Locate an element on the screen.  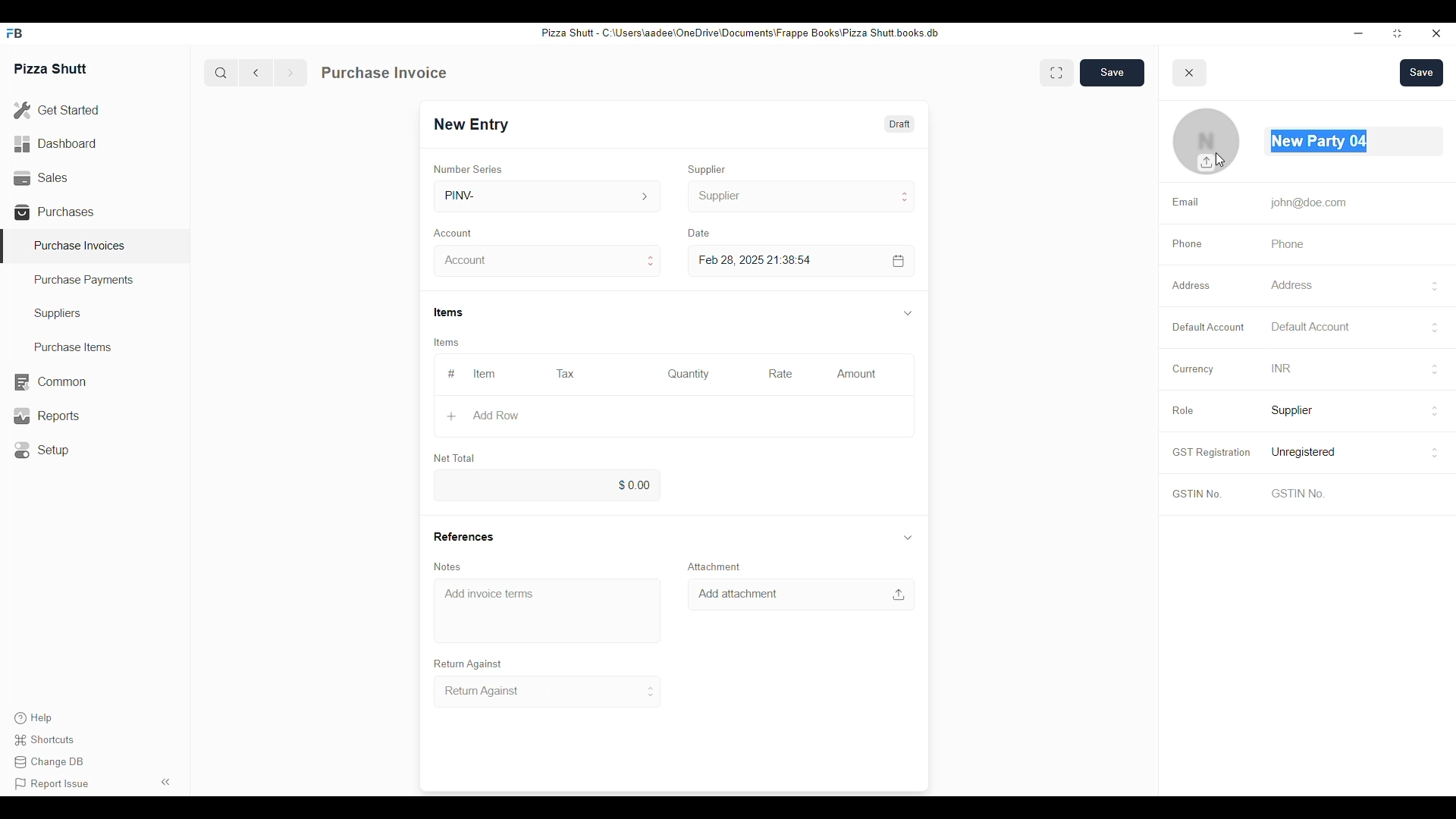
Suppliers. is located at coordinates (61, 313).